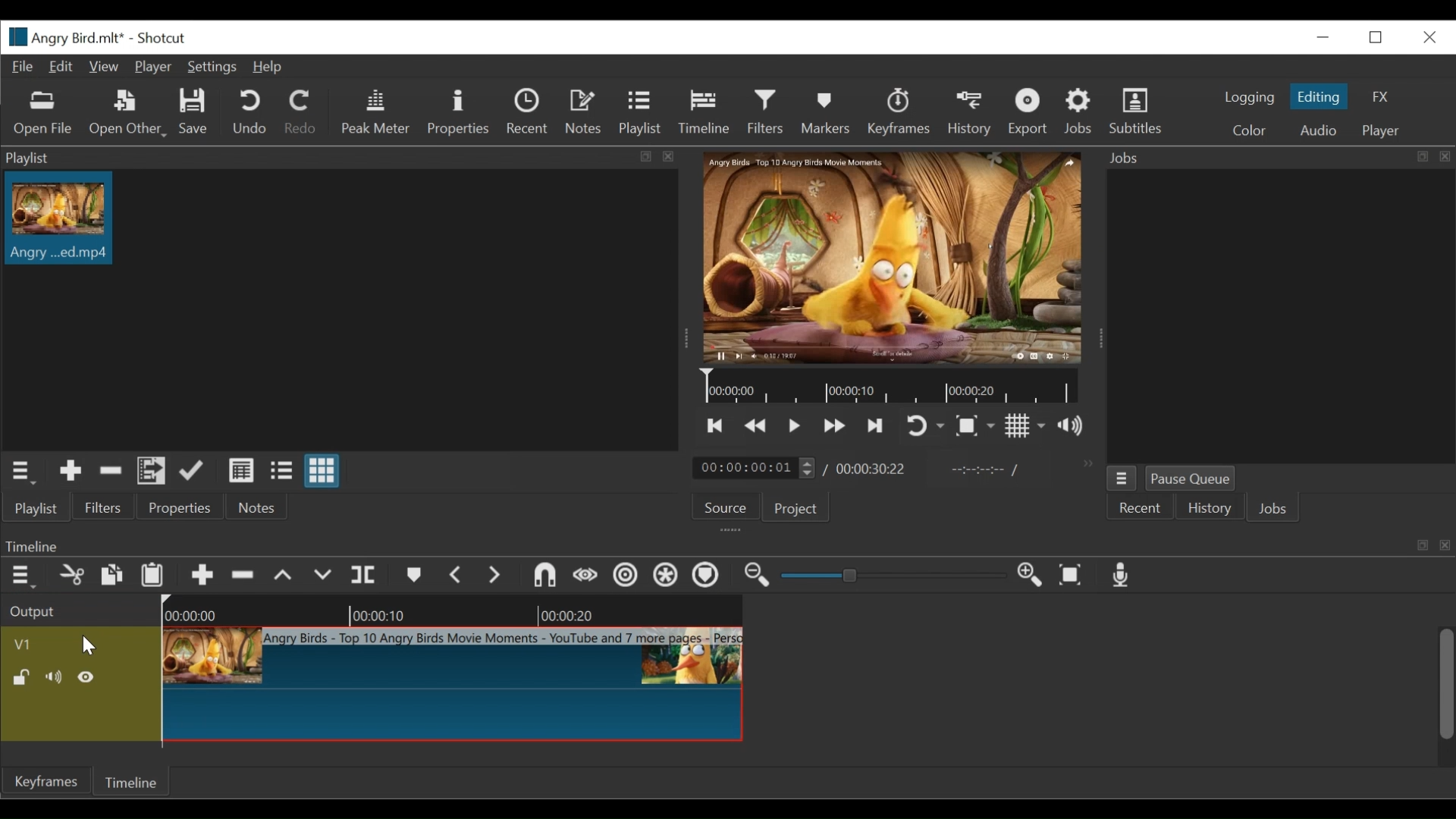 The height and width of the screenshot is (819, 1456). I want to click on , so click(102, 68).